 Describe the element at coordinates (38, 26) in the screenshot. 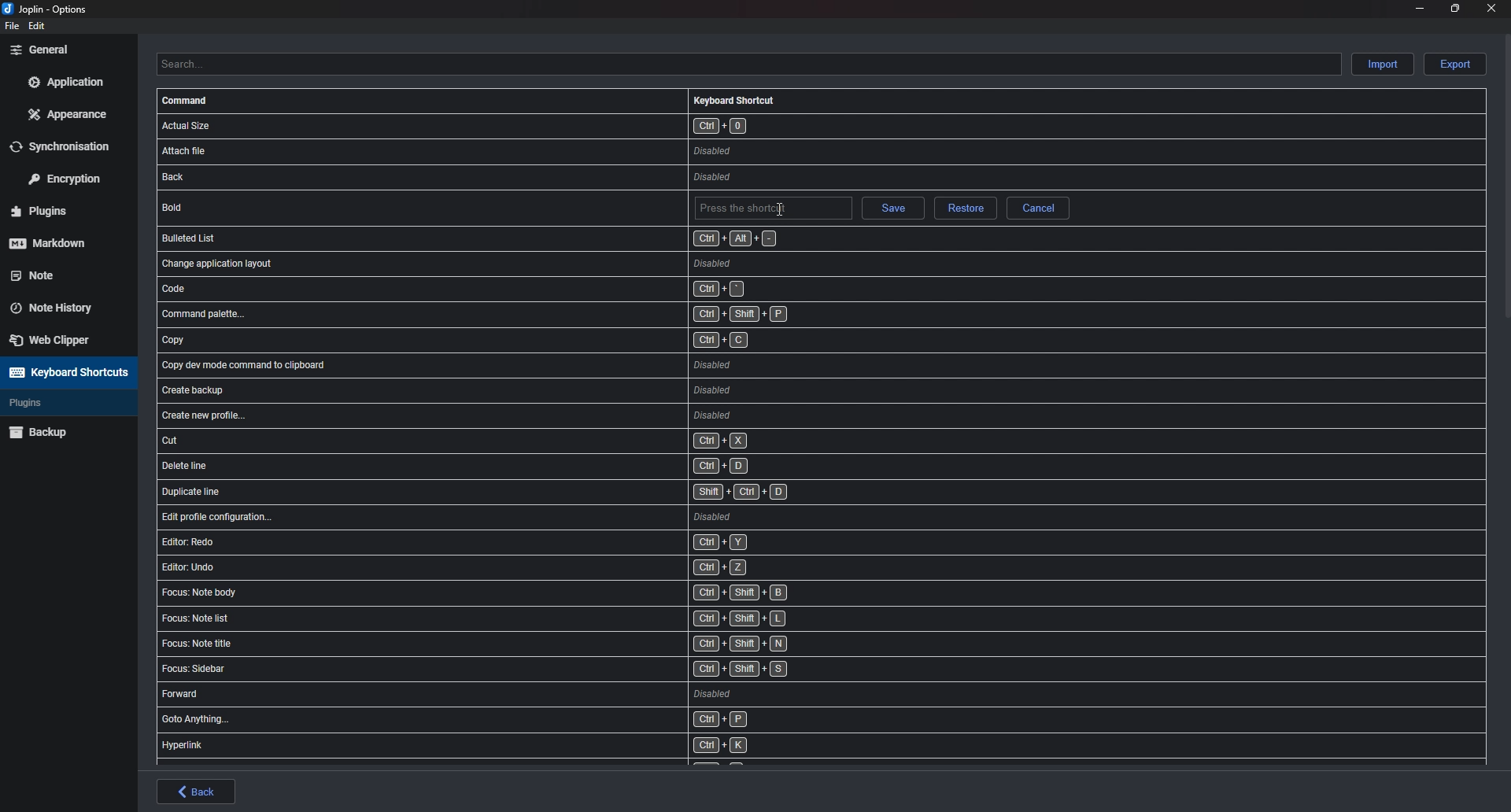

I see `edit` at that location.